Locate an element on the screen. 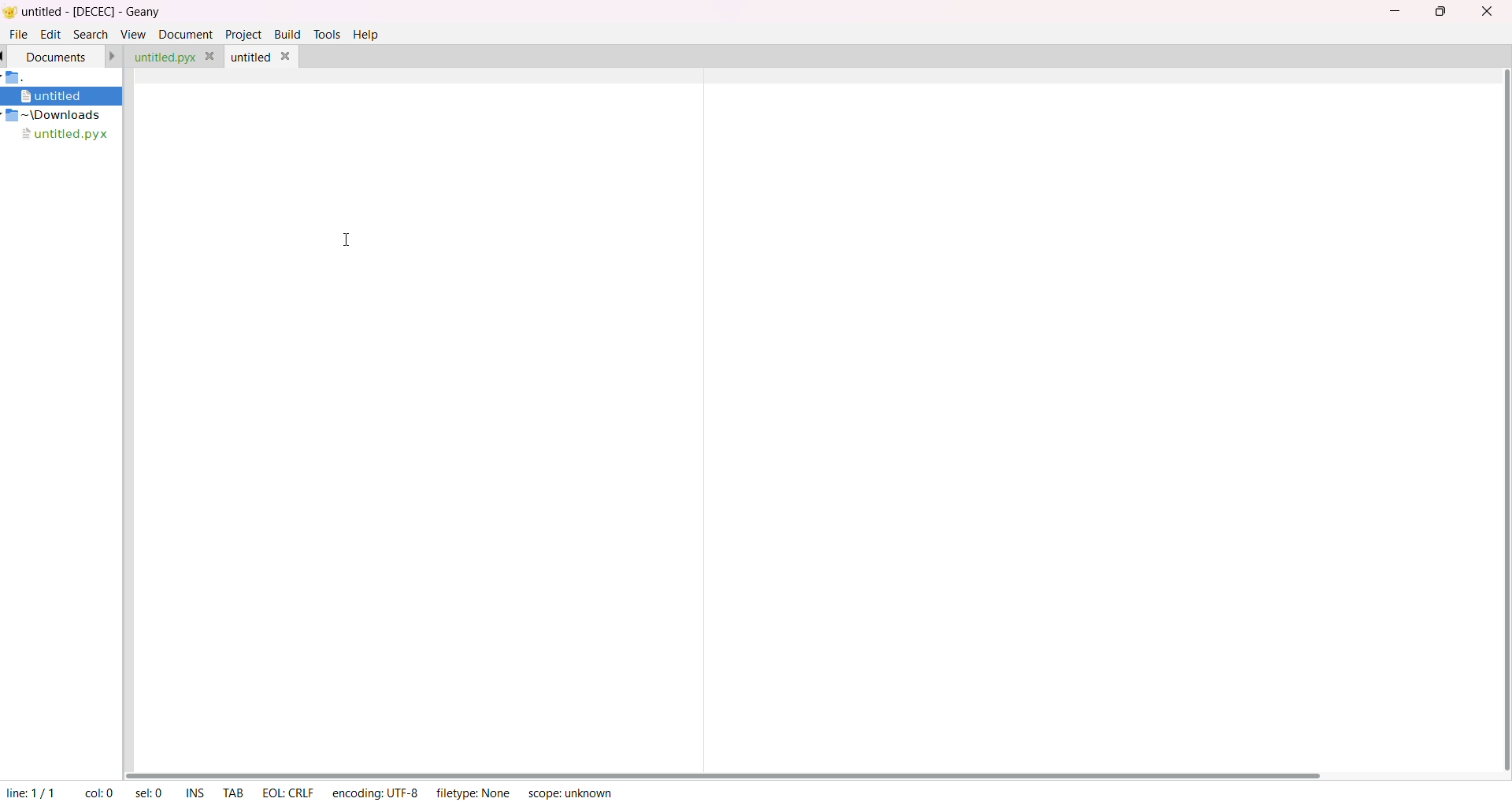 This screenshot has height=802, width=1512. minimize is located at coordinates (1393, 11).